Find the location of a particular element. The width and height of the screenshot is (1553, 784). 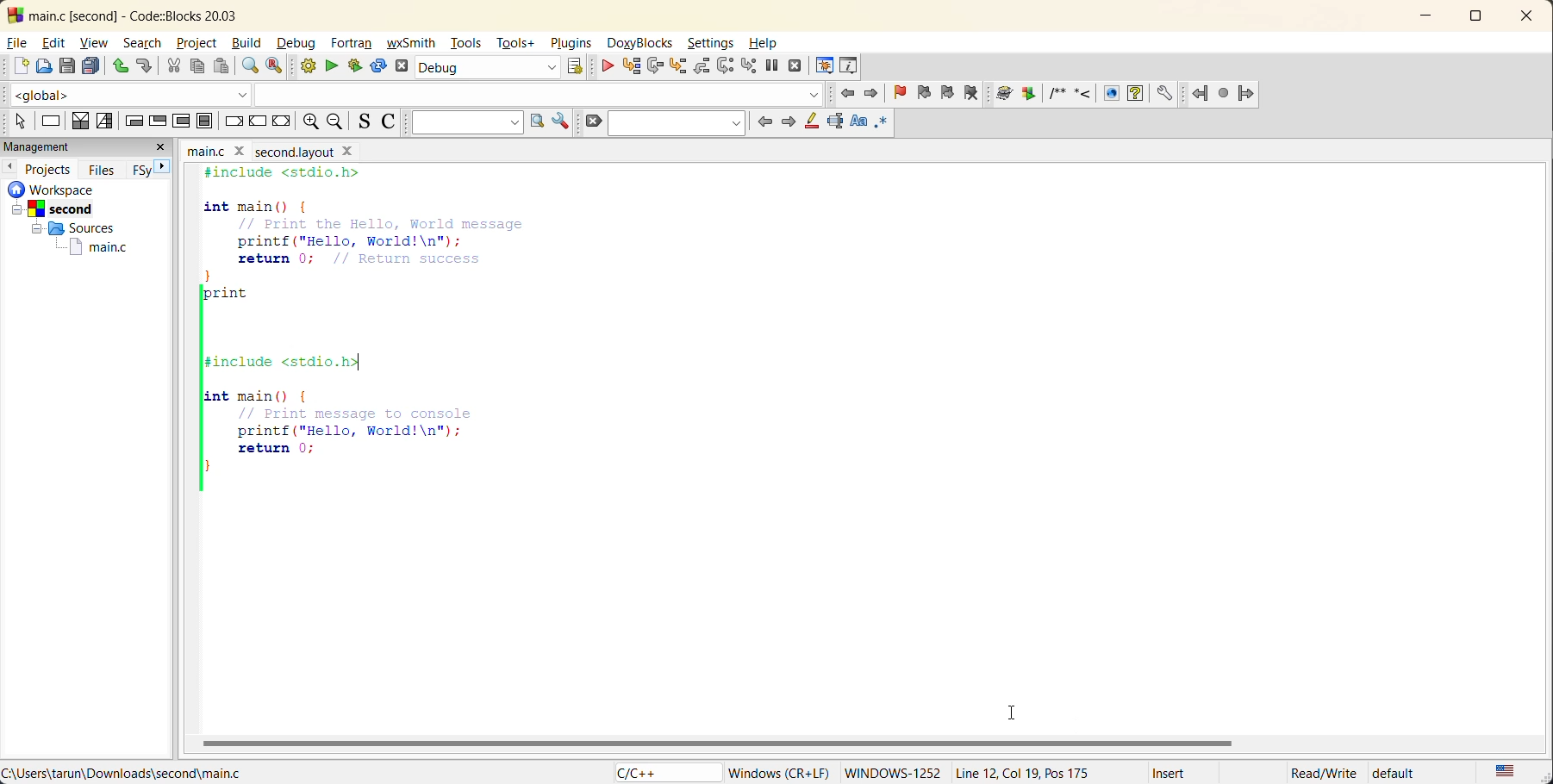

run is located at coordinates (332, 65).